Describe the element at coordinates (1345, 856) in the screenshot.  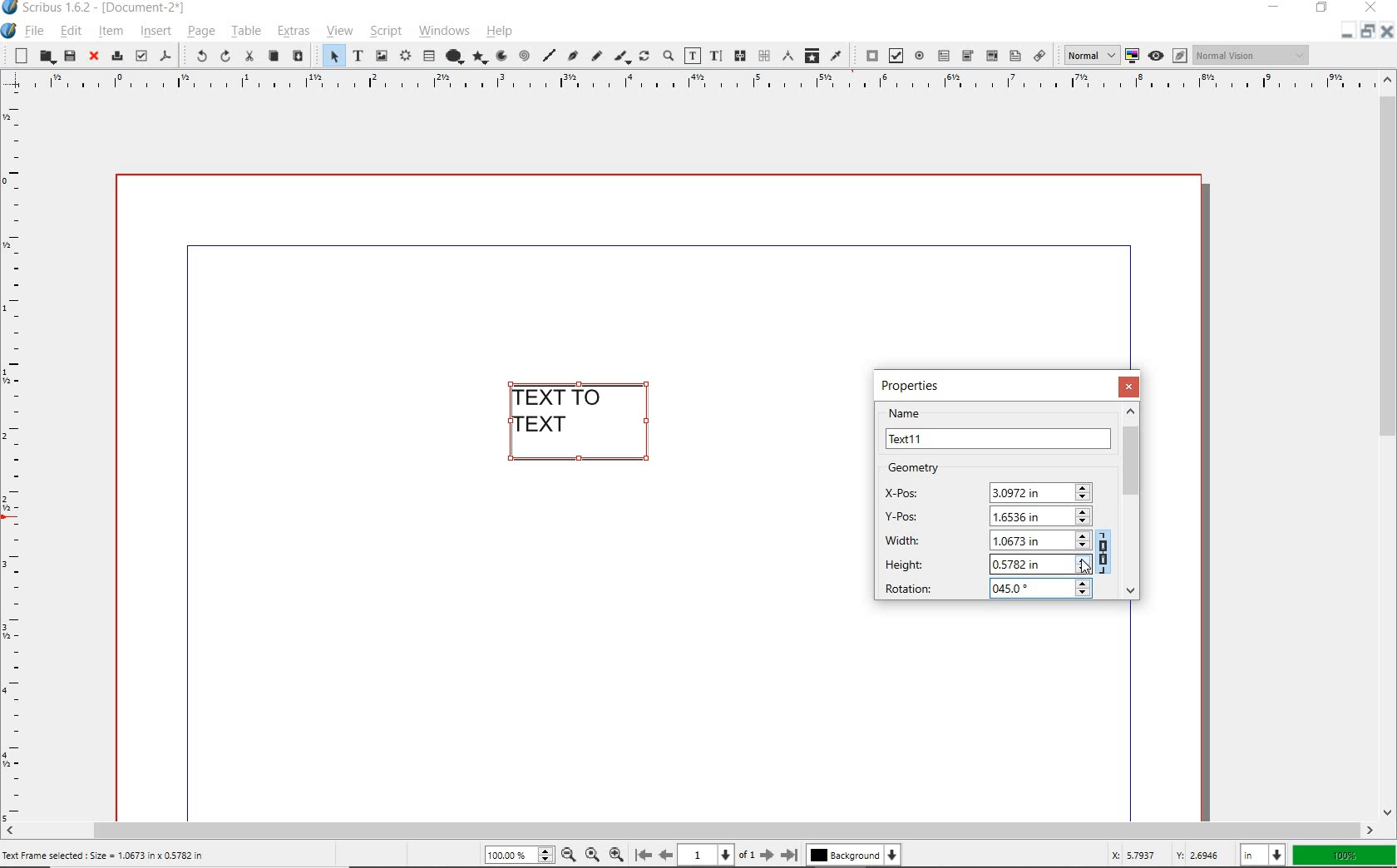
I see `zoom factor` at that location.